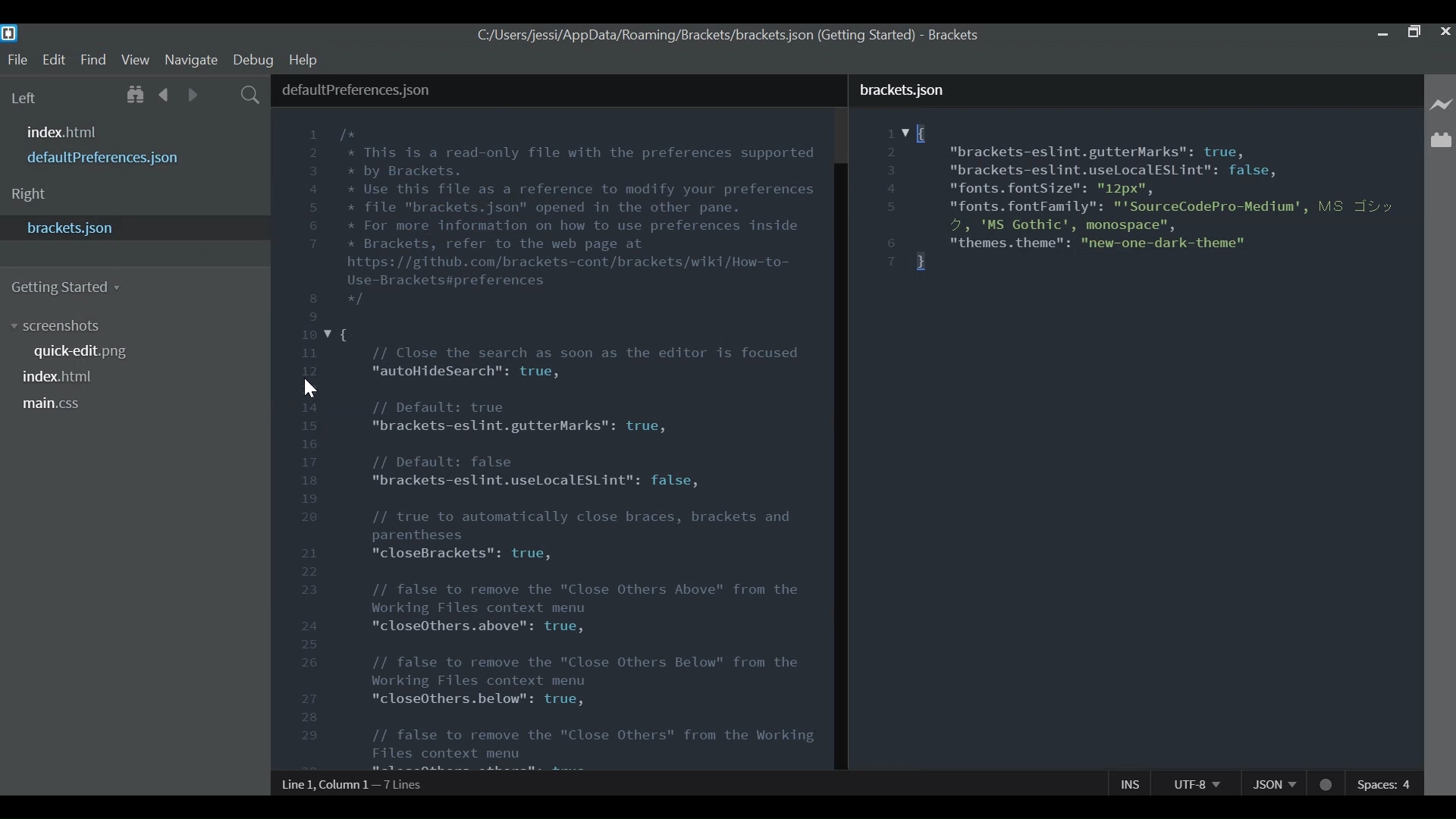 The width and height of the screenshot is (1456, 819). What do you see at coordinates (50, 193) in the screenshot?
I see `Right` at bounding box center [50, 193].